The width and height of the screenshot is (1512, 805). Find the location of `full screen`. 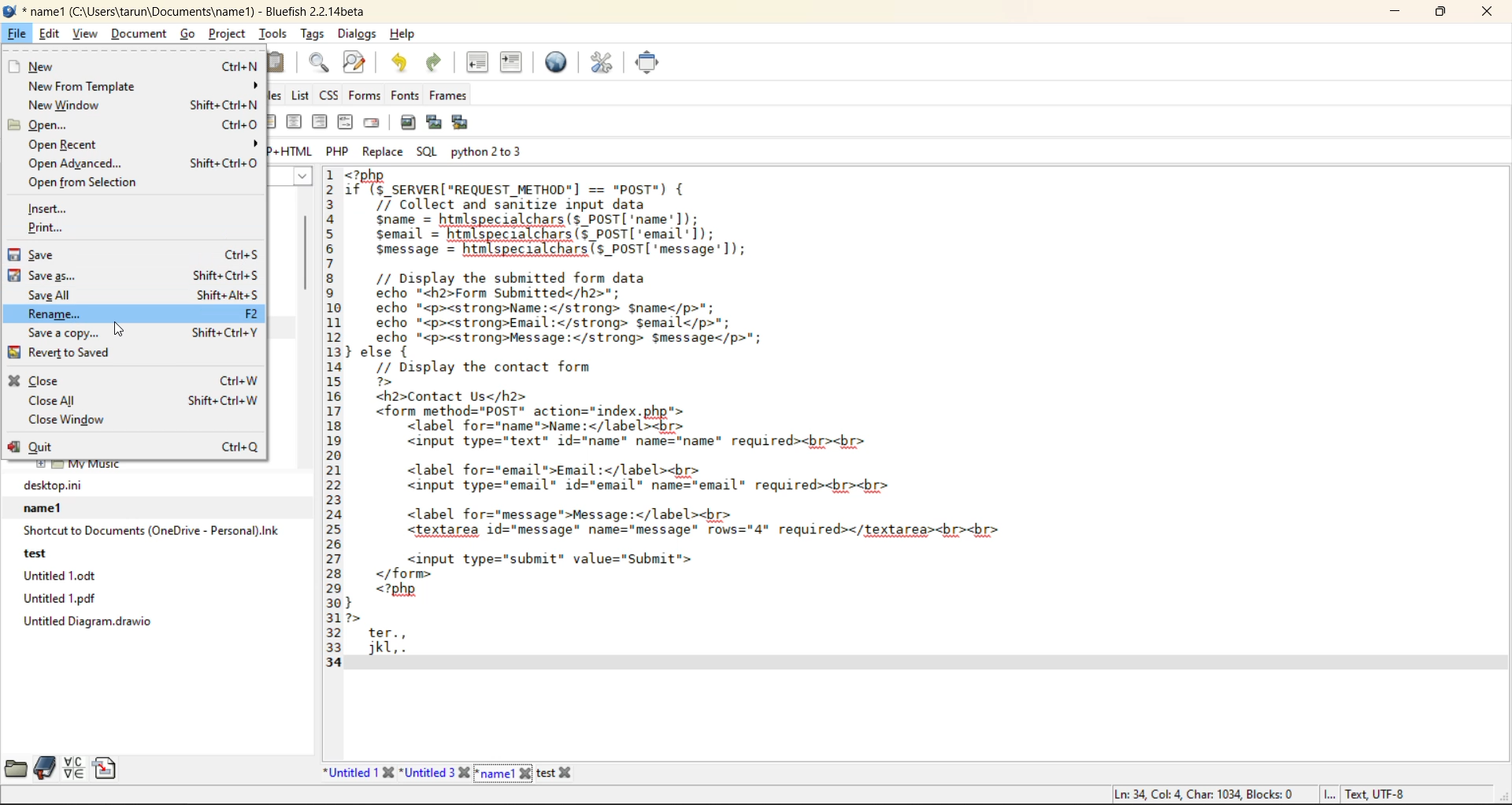

full screen is located at coordinates (651, 64).